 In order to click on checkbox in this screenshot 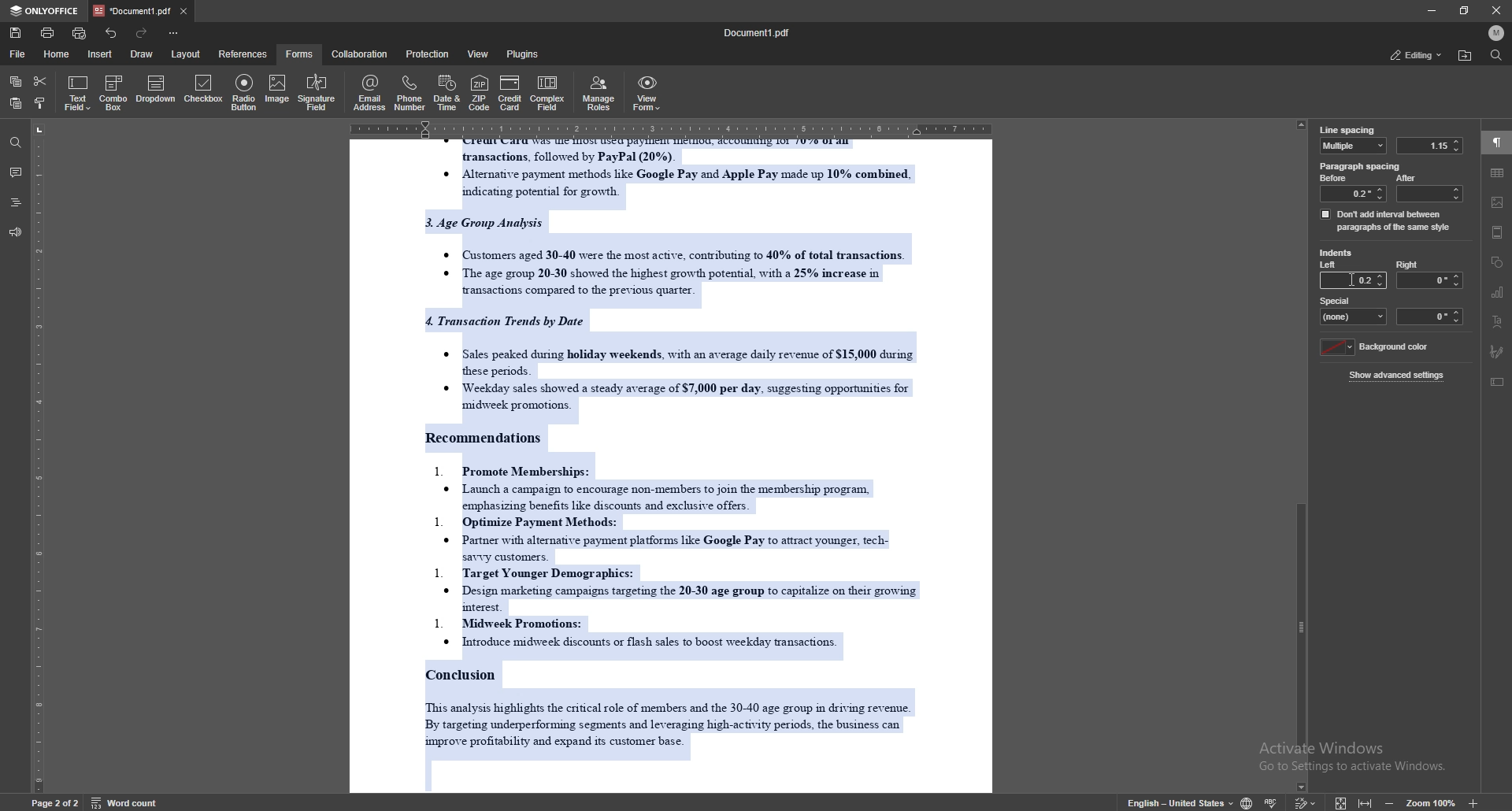, I will do `click(205, 91)`.